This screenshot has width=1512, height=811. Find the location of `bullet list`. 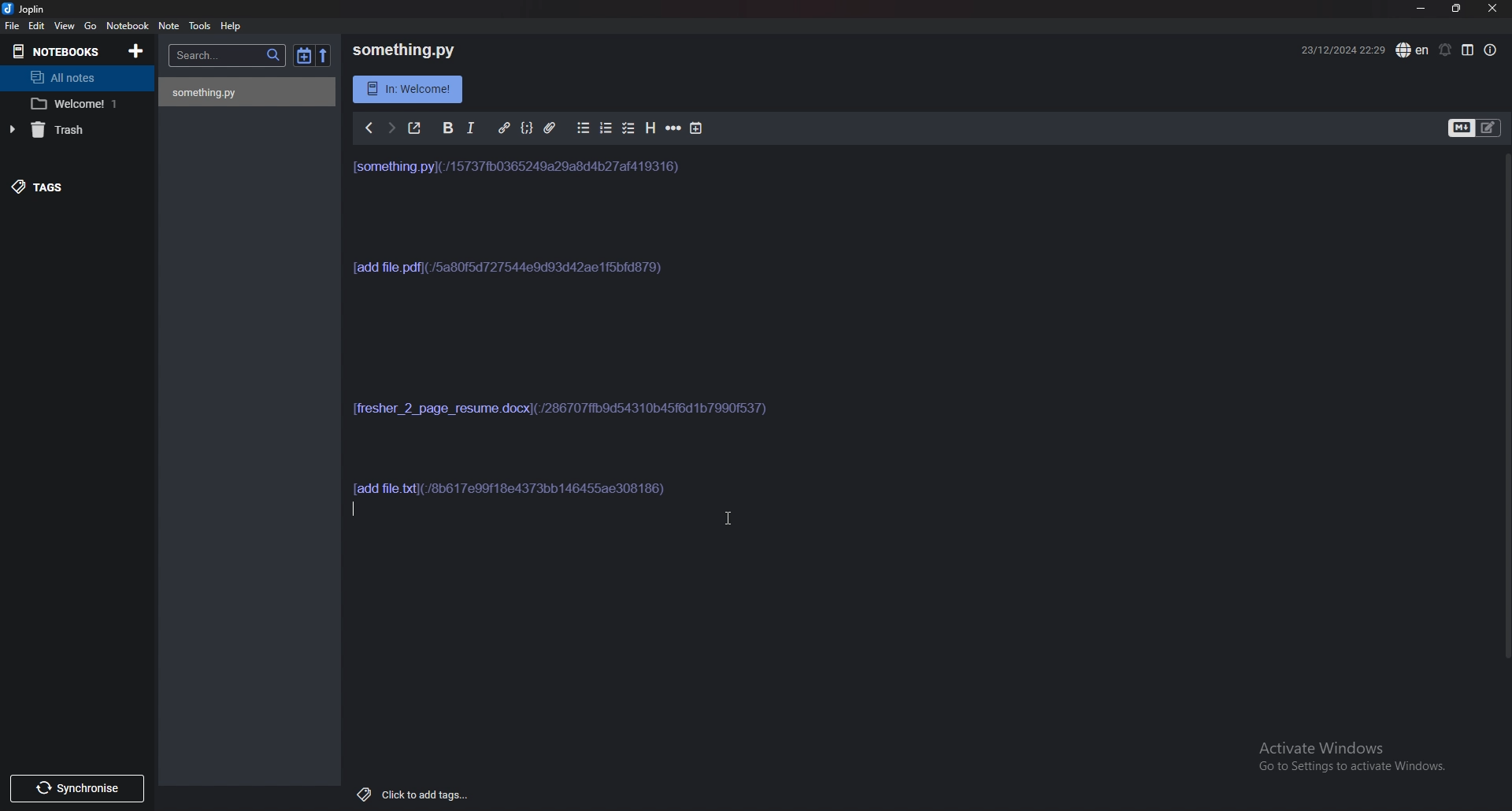

bullet list is located at coordinates (584, 128).